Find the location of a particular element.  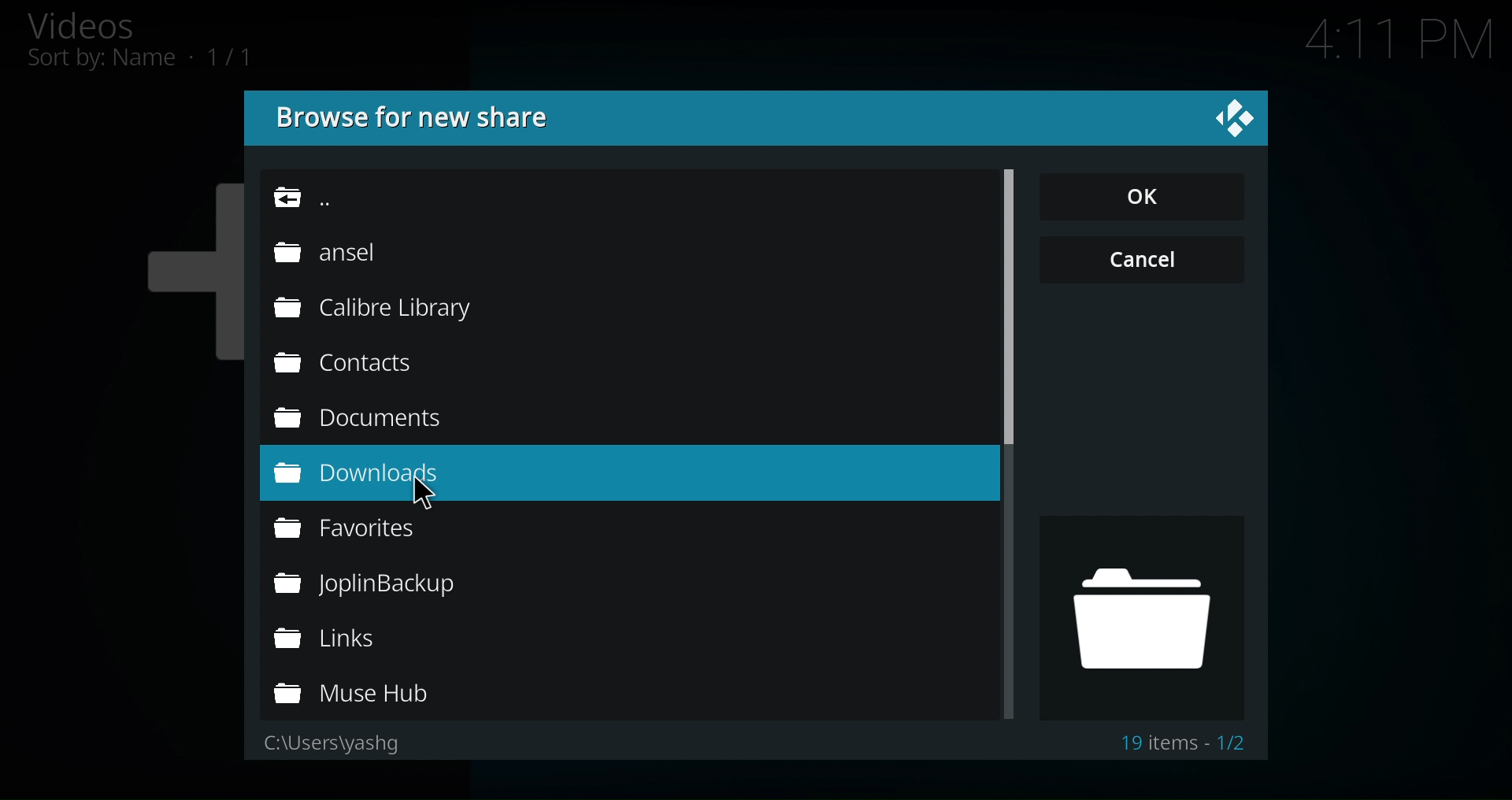

Videos, Sort by: Name • 1/1 is located at coordinates (165, 44).